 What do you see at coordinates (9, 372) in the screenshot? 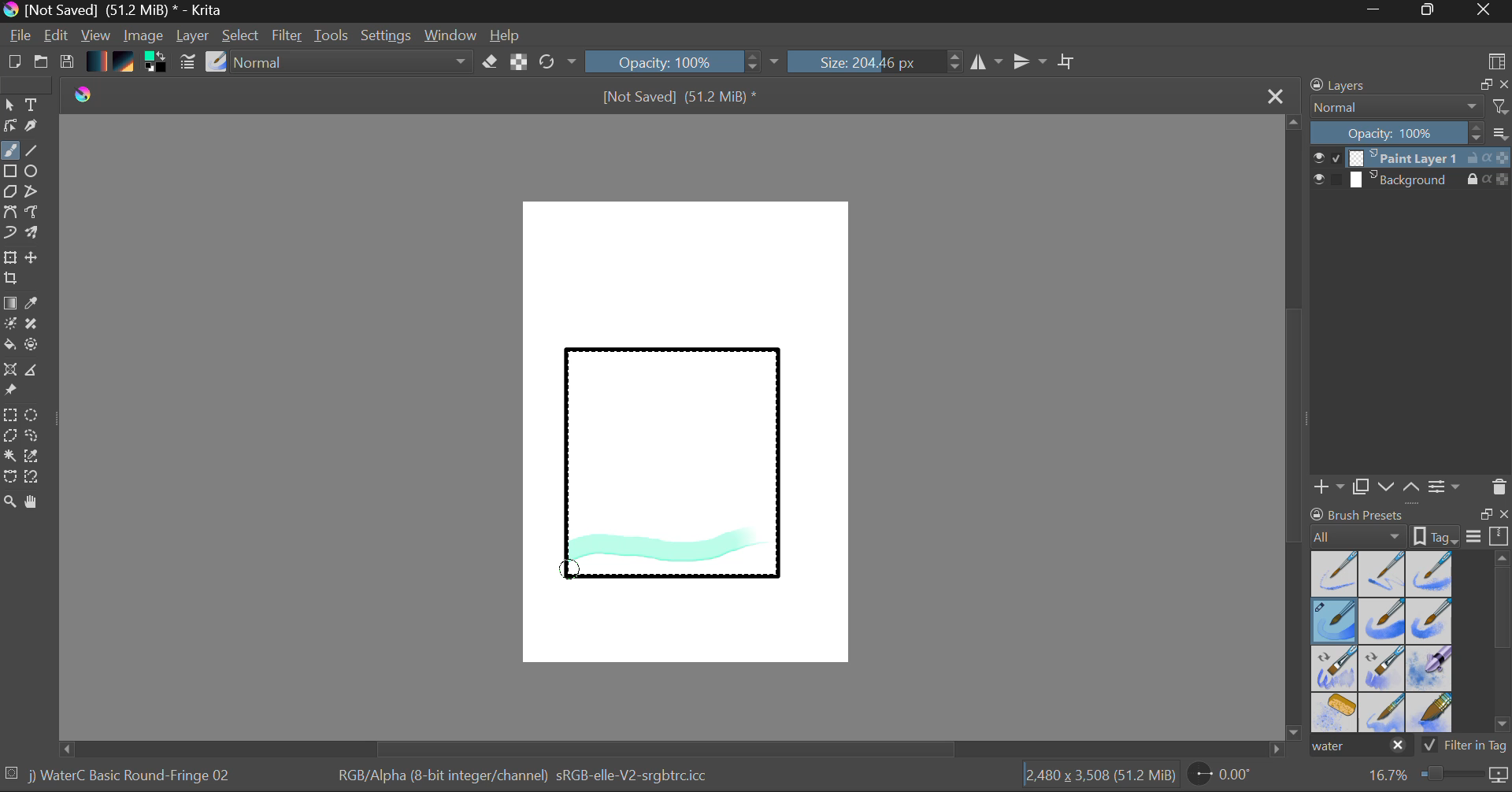
I see `Smart Assistant` at bounding box center [9, 372].